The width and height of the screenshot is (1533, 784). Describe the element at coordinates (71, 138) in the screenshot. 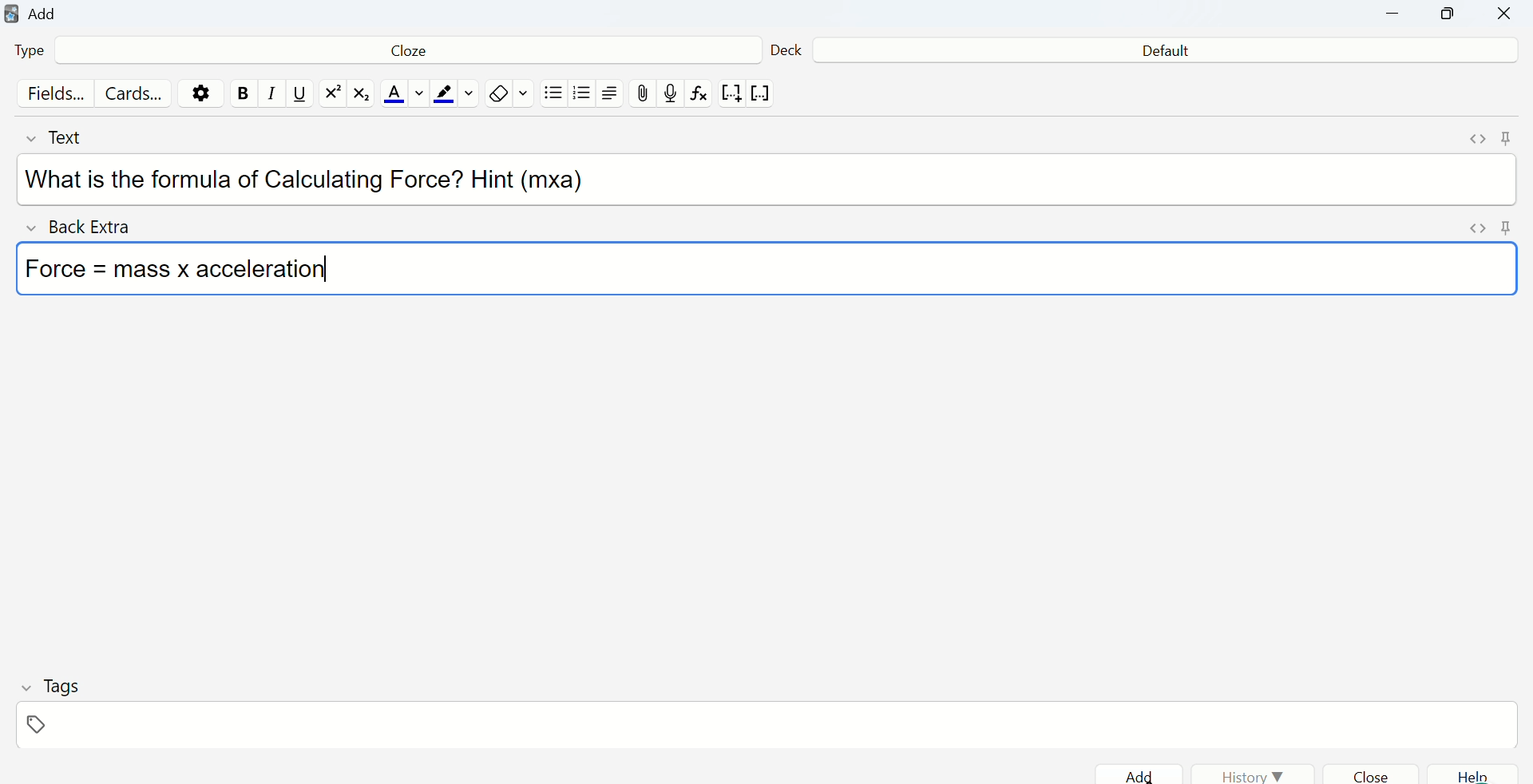

I see `Text` at that location.